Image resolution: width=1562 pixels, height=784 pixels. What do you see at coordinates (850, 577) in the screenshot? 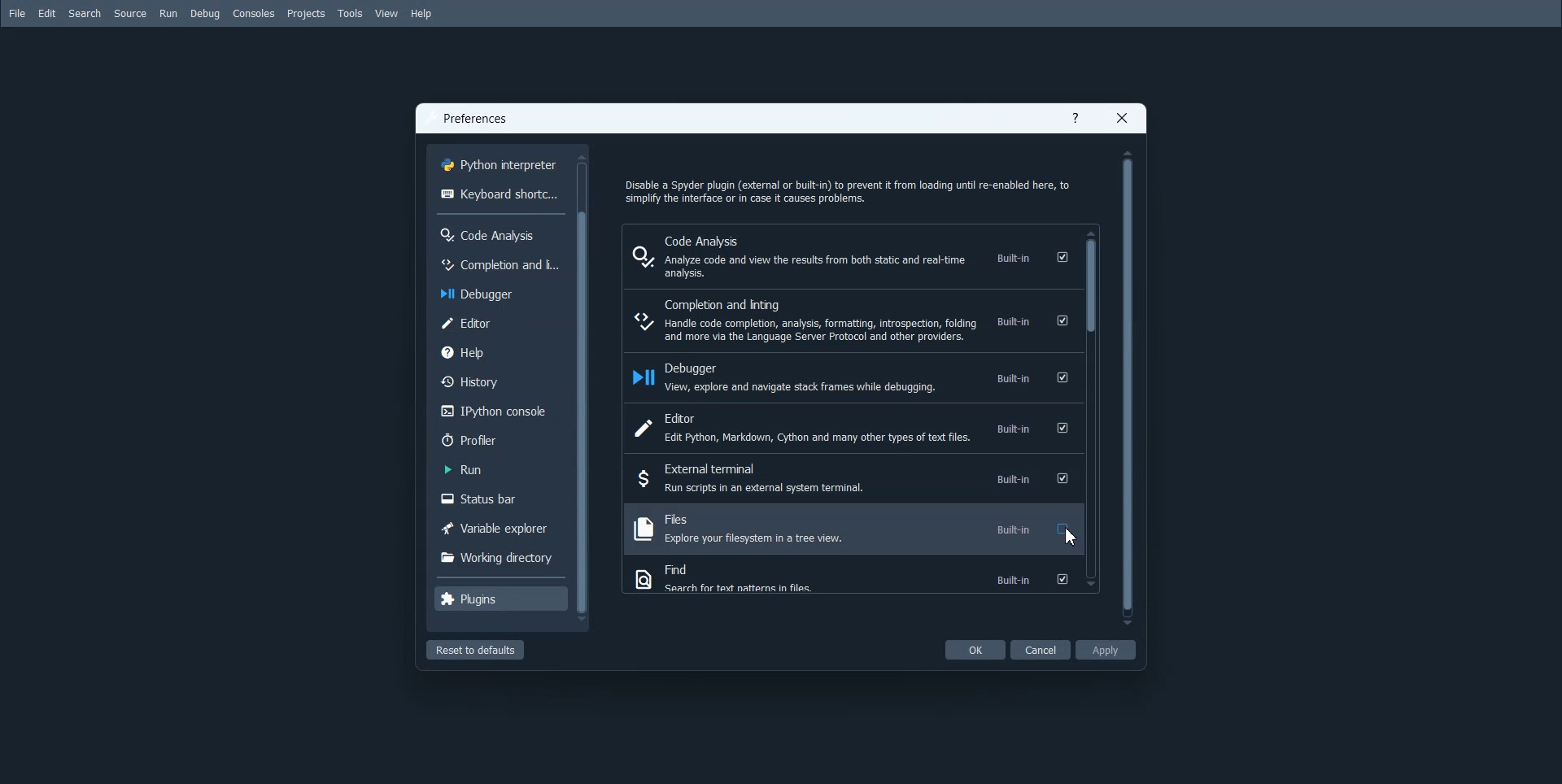
I see `Find` at bounding box center [850, 577].